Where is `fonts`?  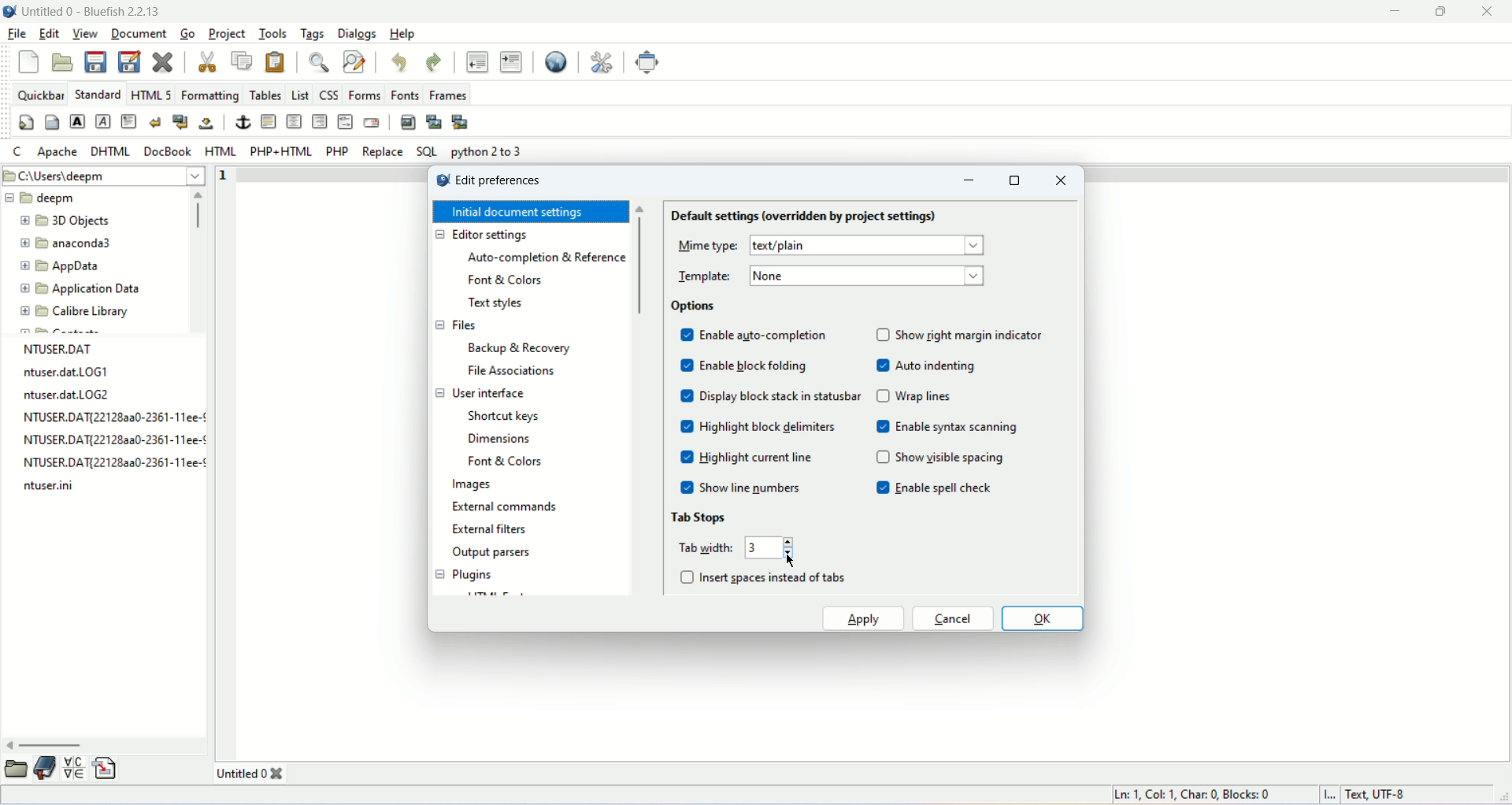
fonts is located at coordinates (406, 95).